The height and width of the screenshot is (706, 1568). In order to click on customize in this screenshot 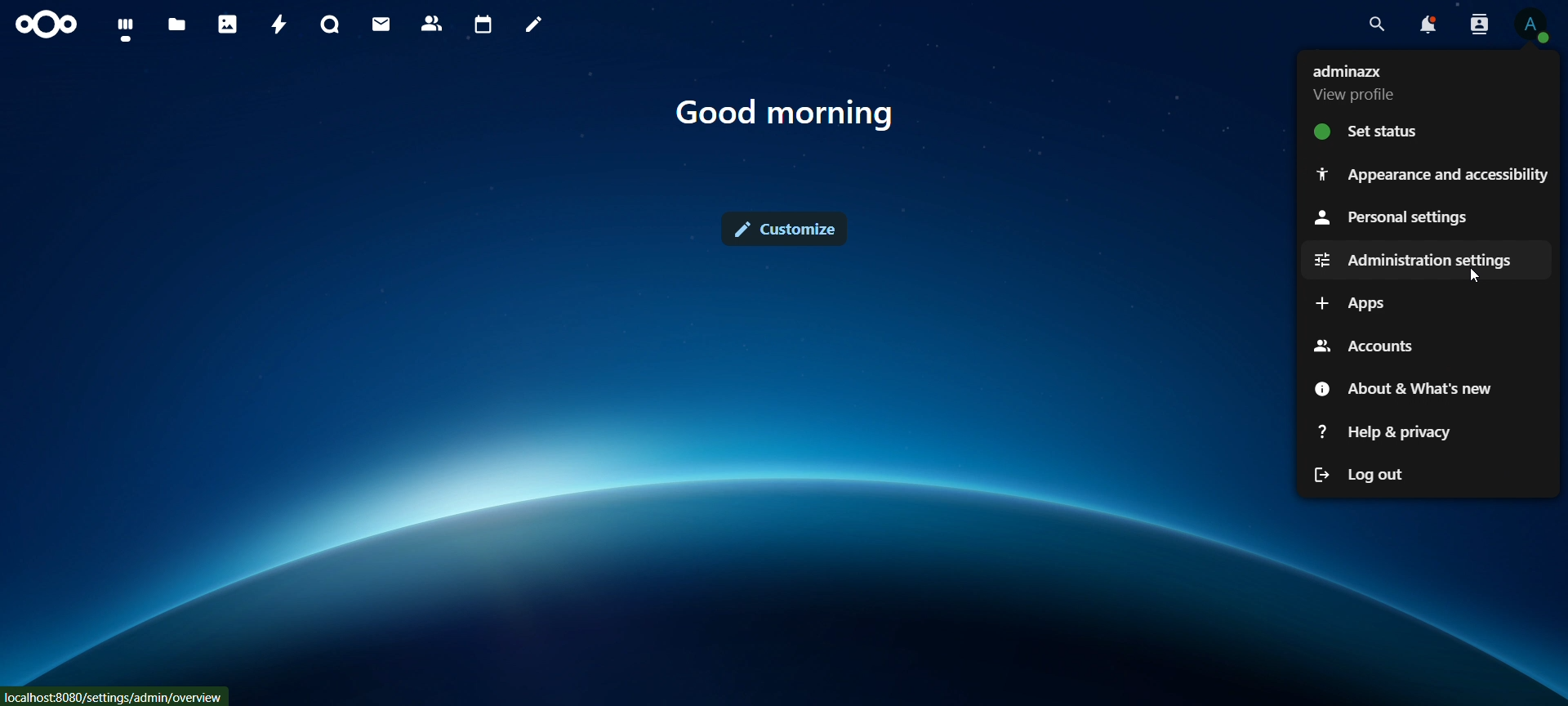, I will do `click(786, 229)`.